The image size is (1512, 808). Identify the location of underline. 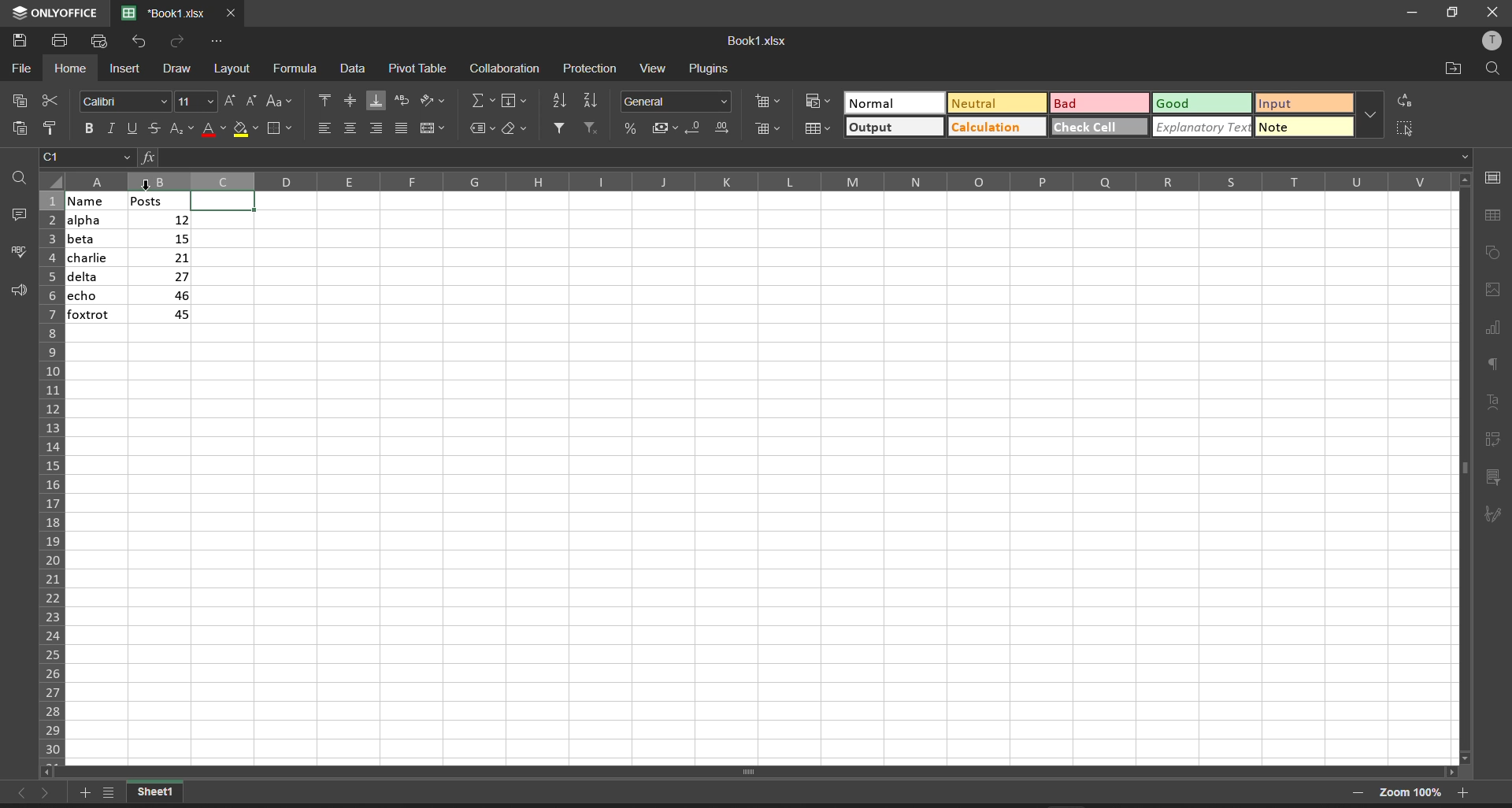
(132, 130).